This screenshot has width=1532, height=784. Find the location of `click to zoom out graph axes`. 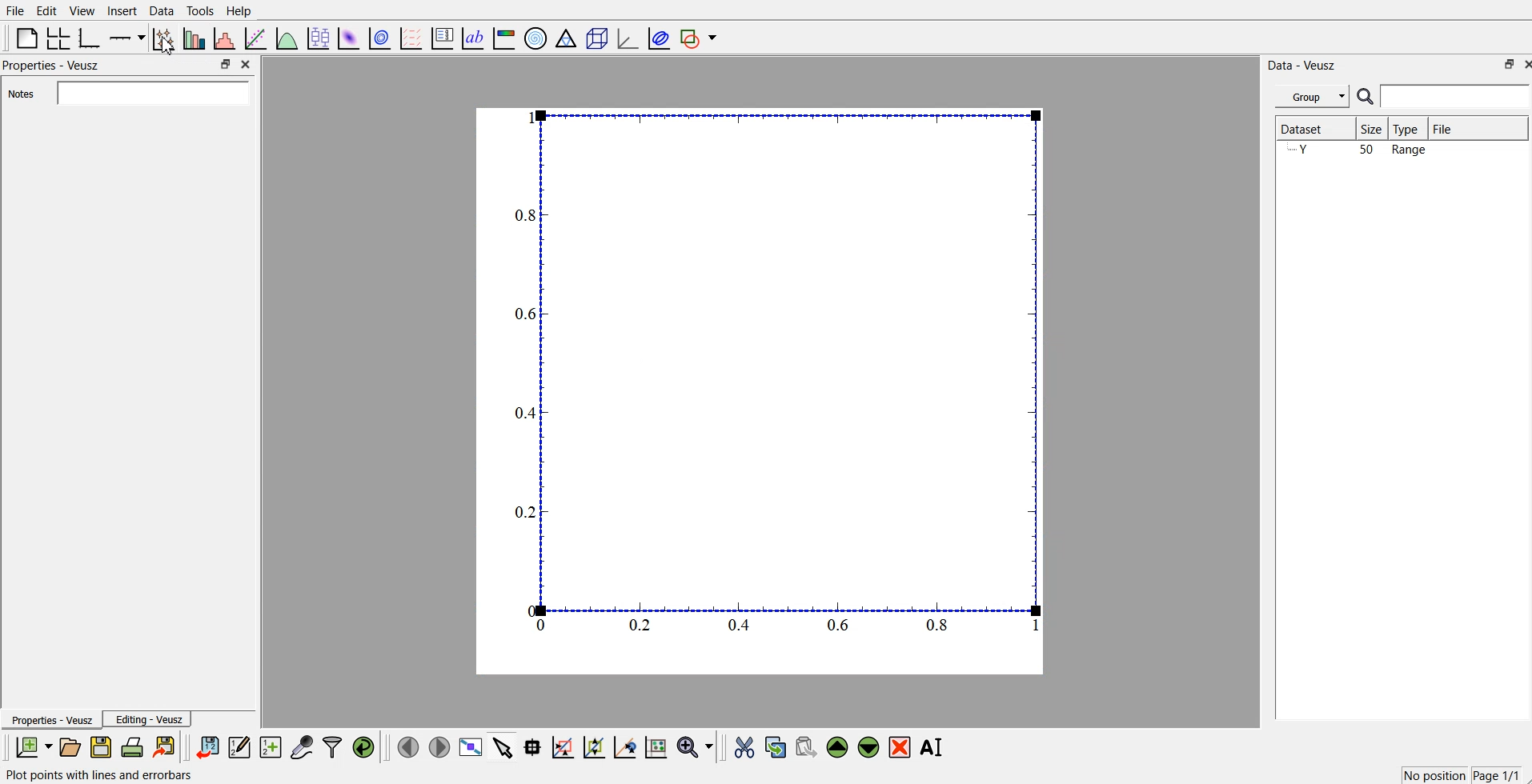

click to zoom out graph axes is located at coordinates (595, 748).